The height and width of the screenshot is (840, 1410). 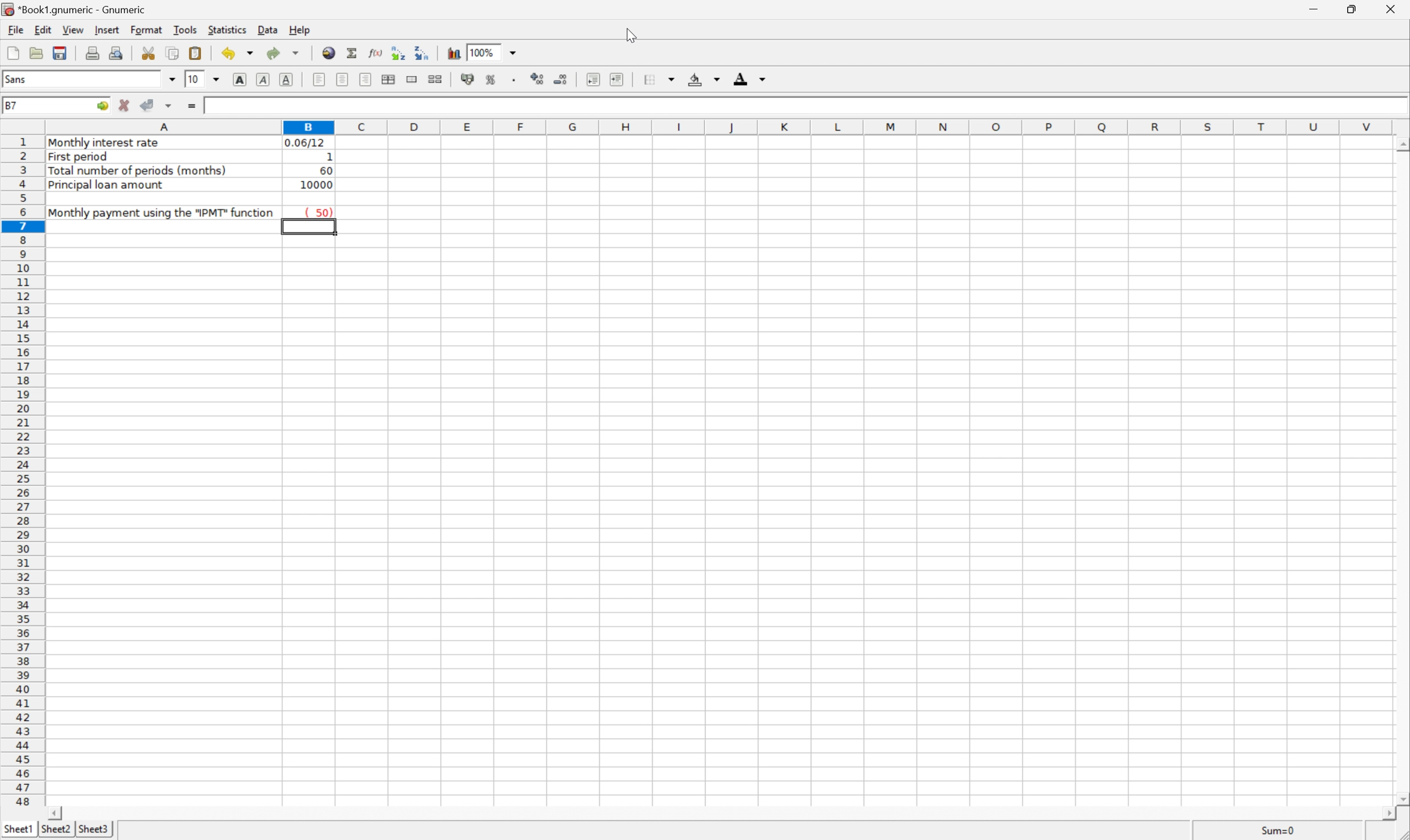 I want to click on Edit, so click(x=43, y=29).